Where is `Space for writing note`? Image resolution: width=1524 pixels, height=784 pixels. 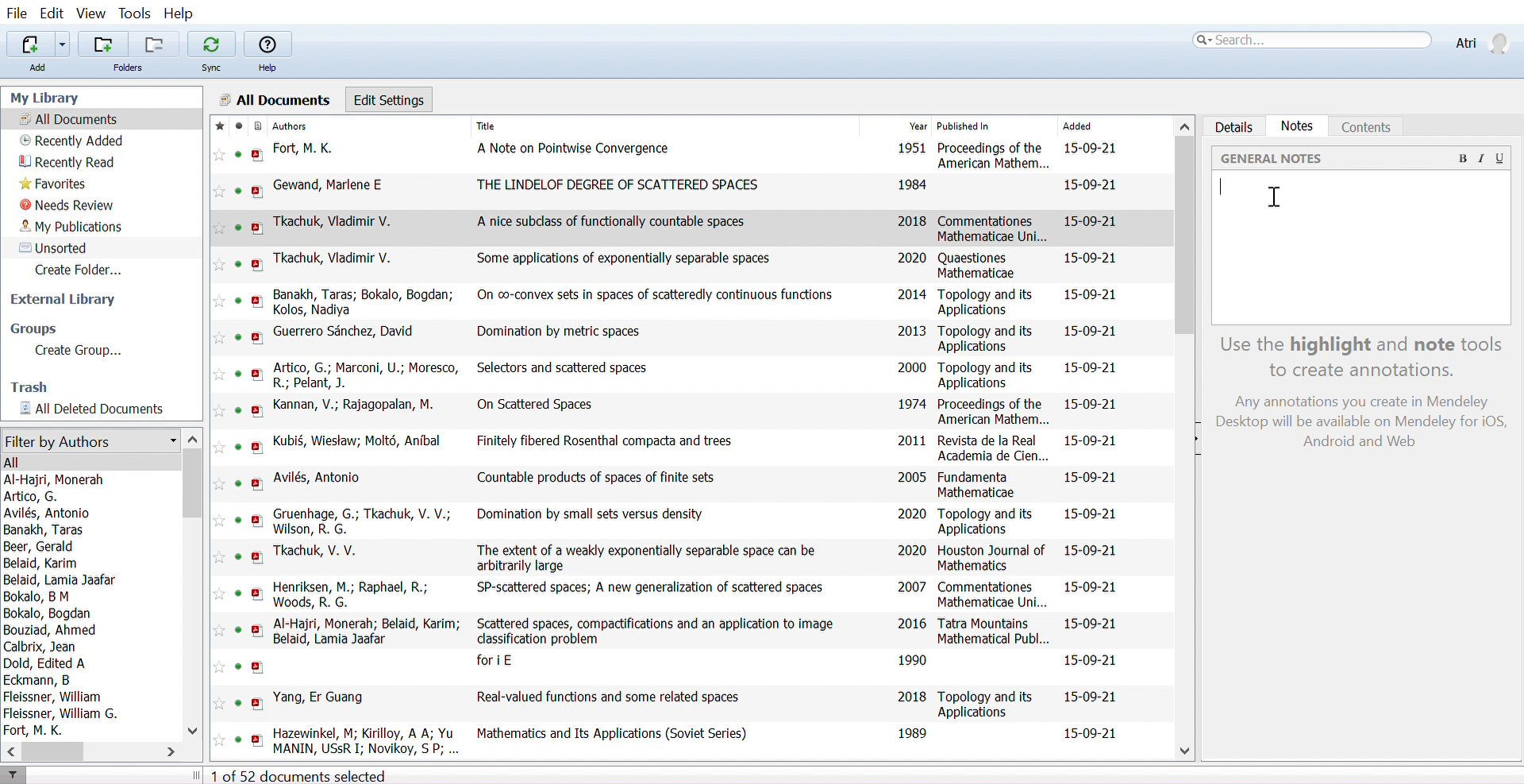 Space for writing note is located at coordinates (1359, 247).